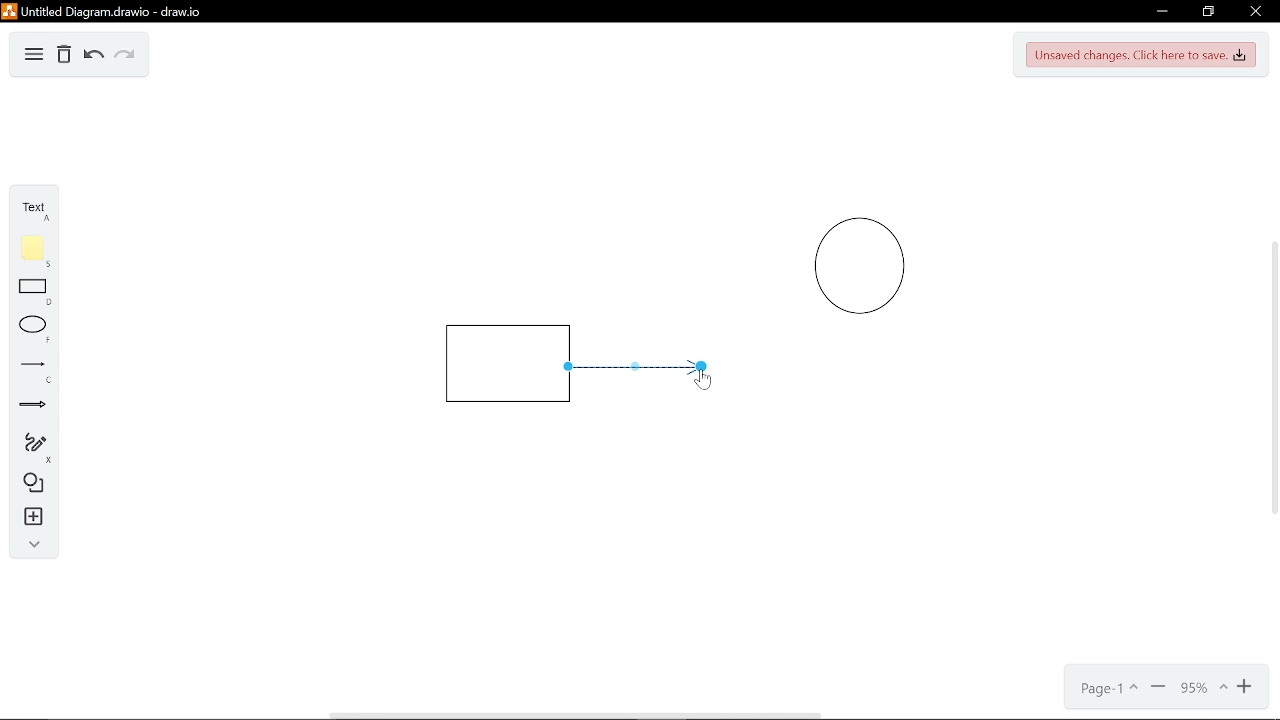  I want to click on Cursor, so click(704, 380).